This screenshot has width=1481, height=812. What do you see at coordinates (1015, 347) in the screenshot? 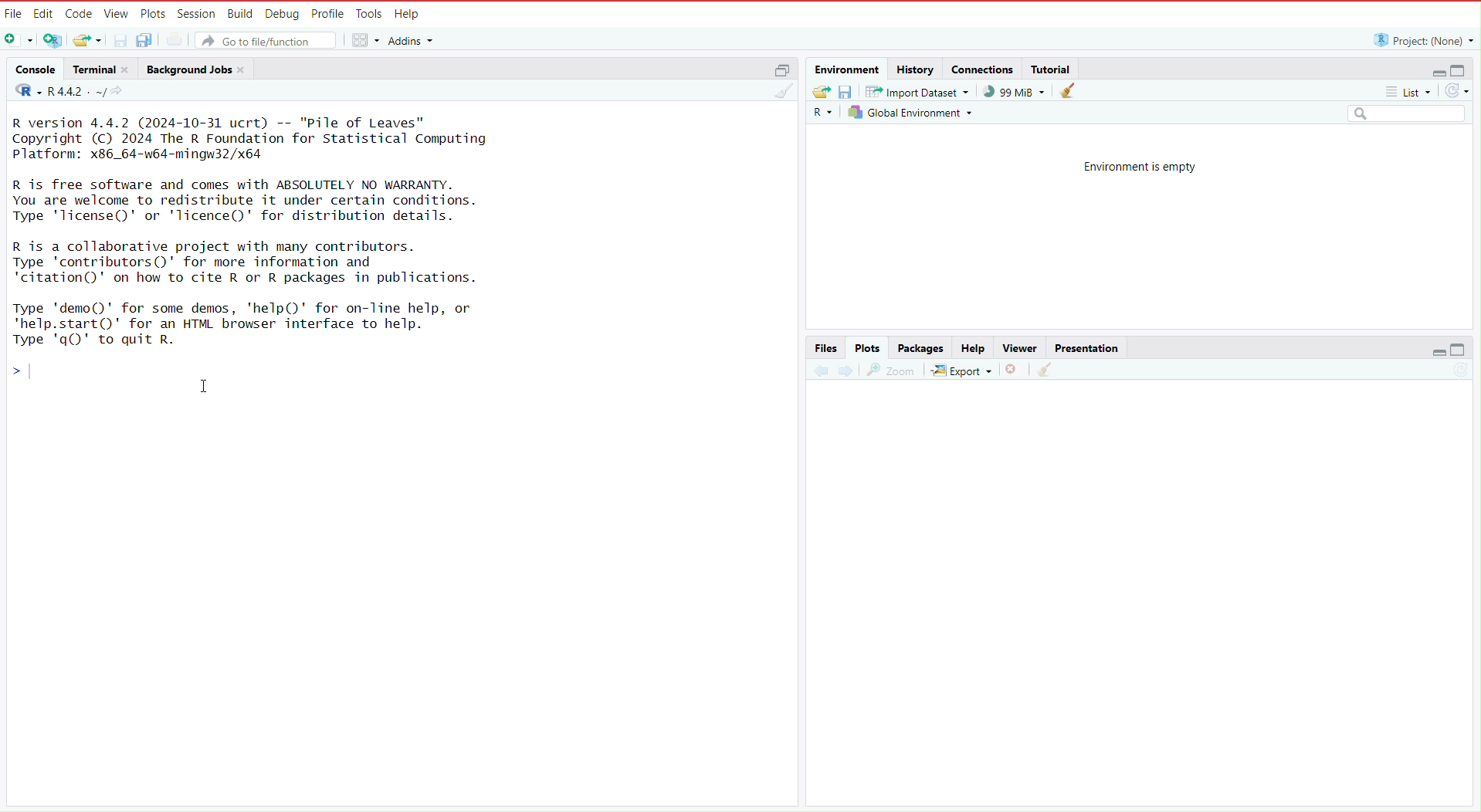
I see `viewer` at bounding box center [1015, 347].